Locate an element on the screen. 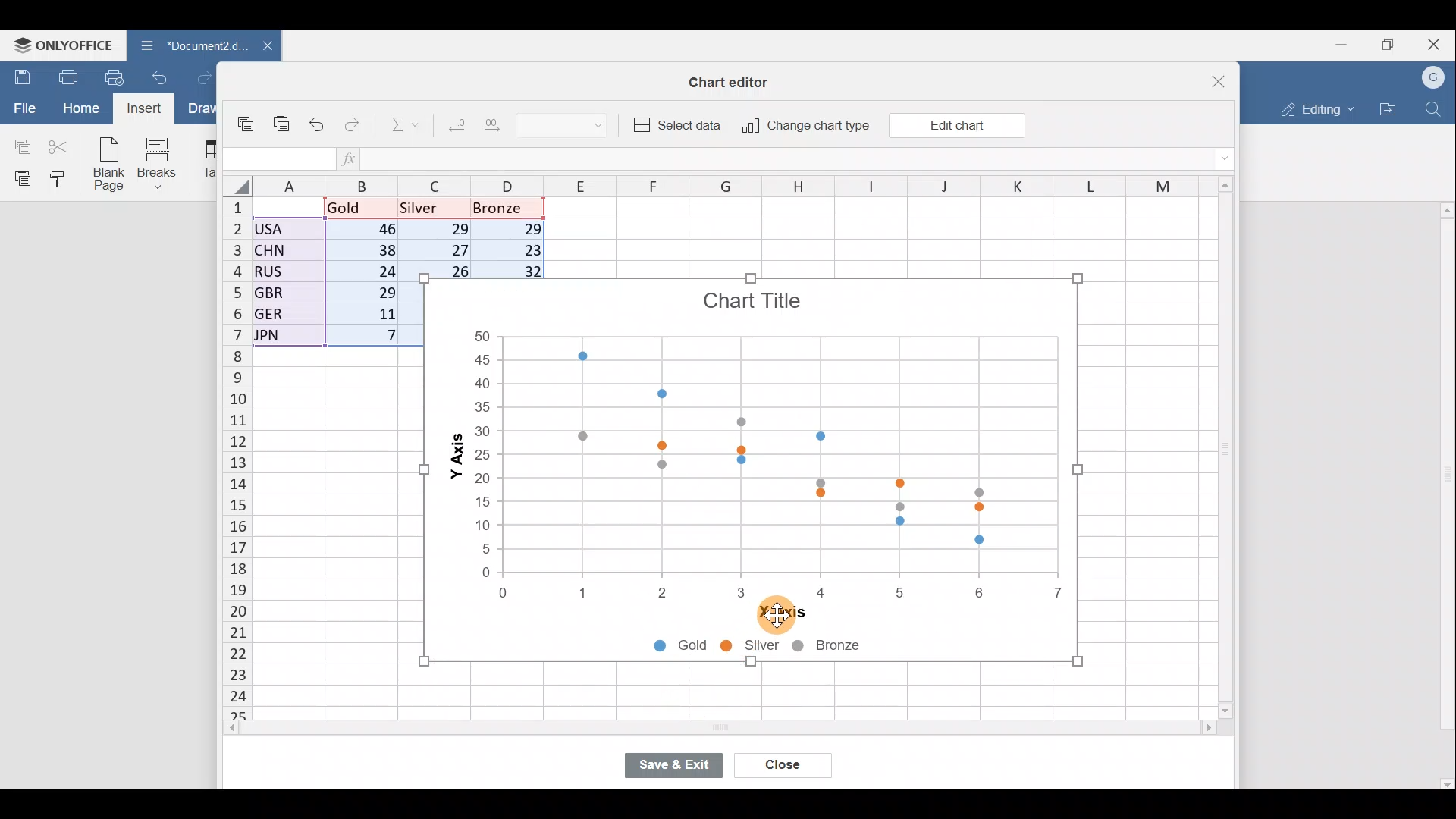 Image resolution: width=1456 pixels, height=819 pixels. Chart image is located at coordinates (749, 460).